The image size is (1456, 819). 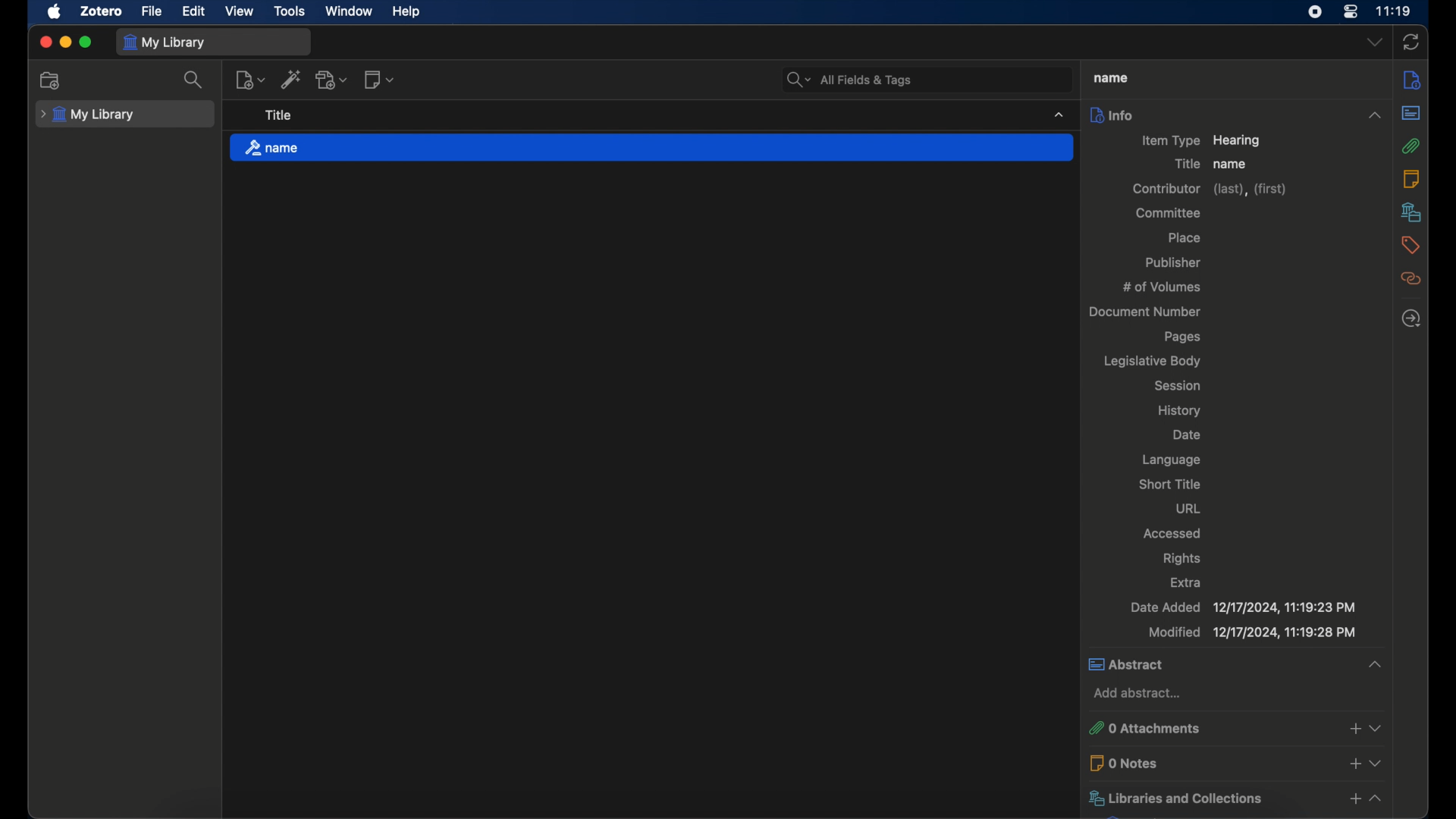 What do you see at coordinates (379, 79) in the screenshot?
I see `new note` at bounding box center [379, 79].